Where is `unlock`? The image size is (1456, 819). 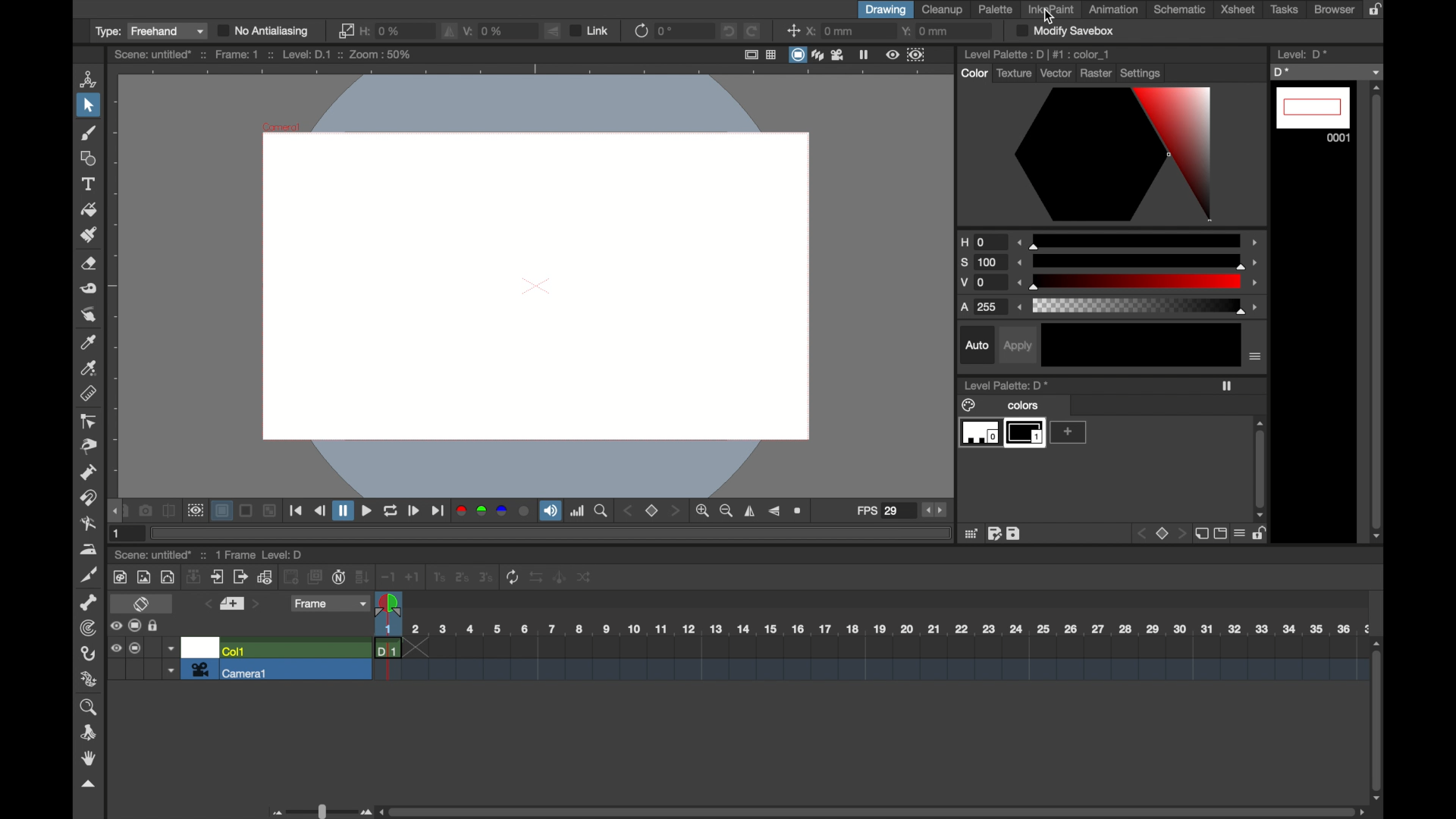 unlock is located at coordinates (1261, 535).